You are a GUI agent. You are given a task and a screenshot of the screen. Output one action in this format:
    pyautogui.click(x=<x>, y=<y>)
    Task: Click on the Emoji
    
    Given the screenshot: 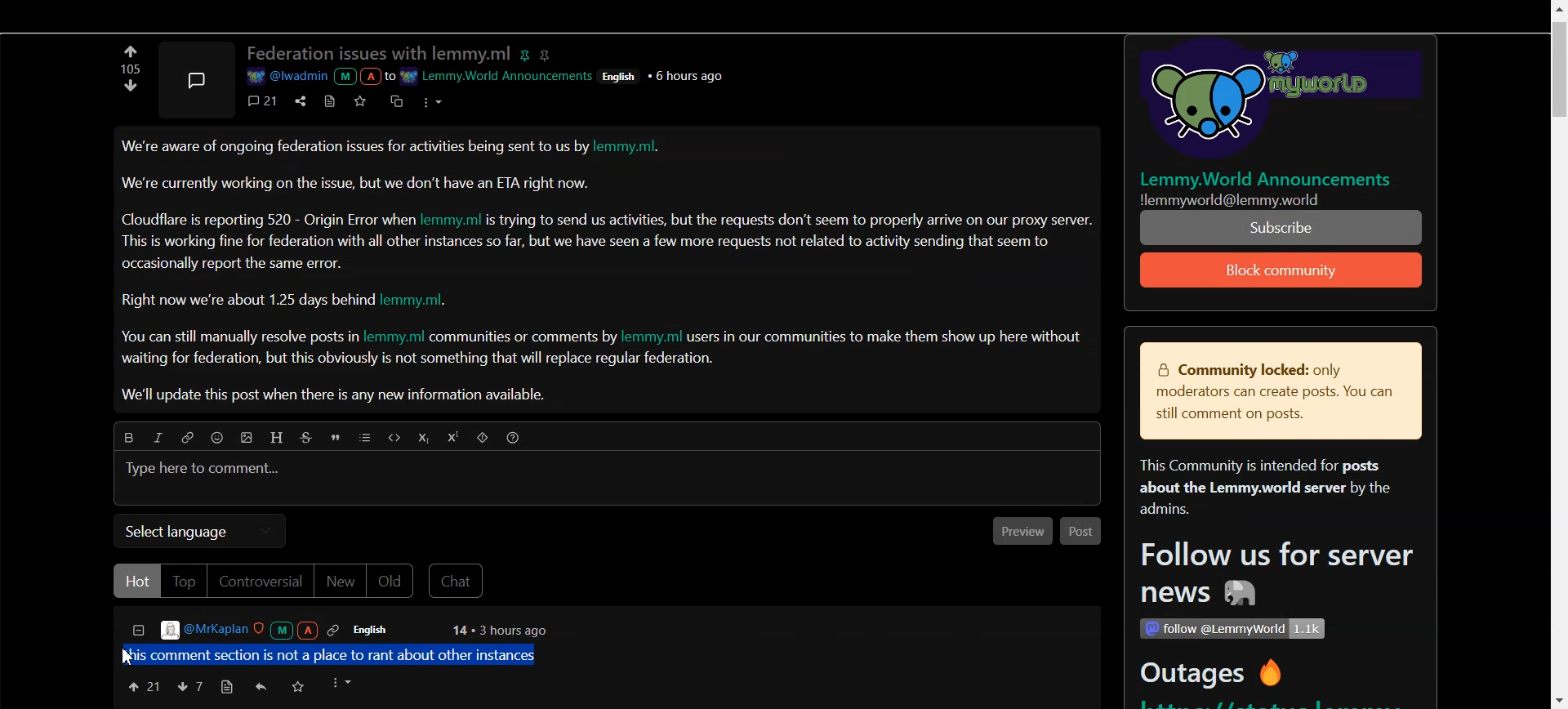 What is the action you would take?
    pyautogui.click(x=221, y=439)
    